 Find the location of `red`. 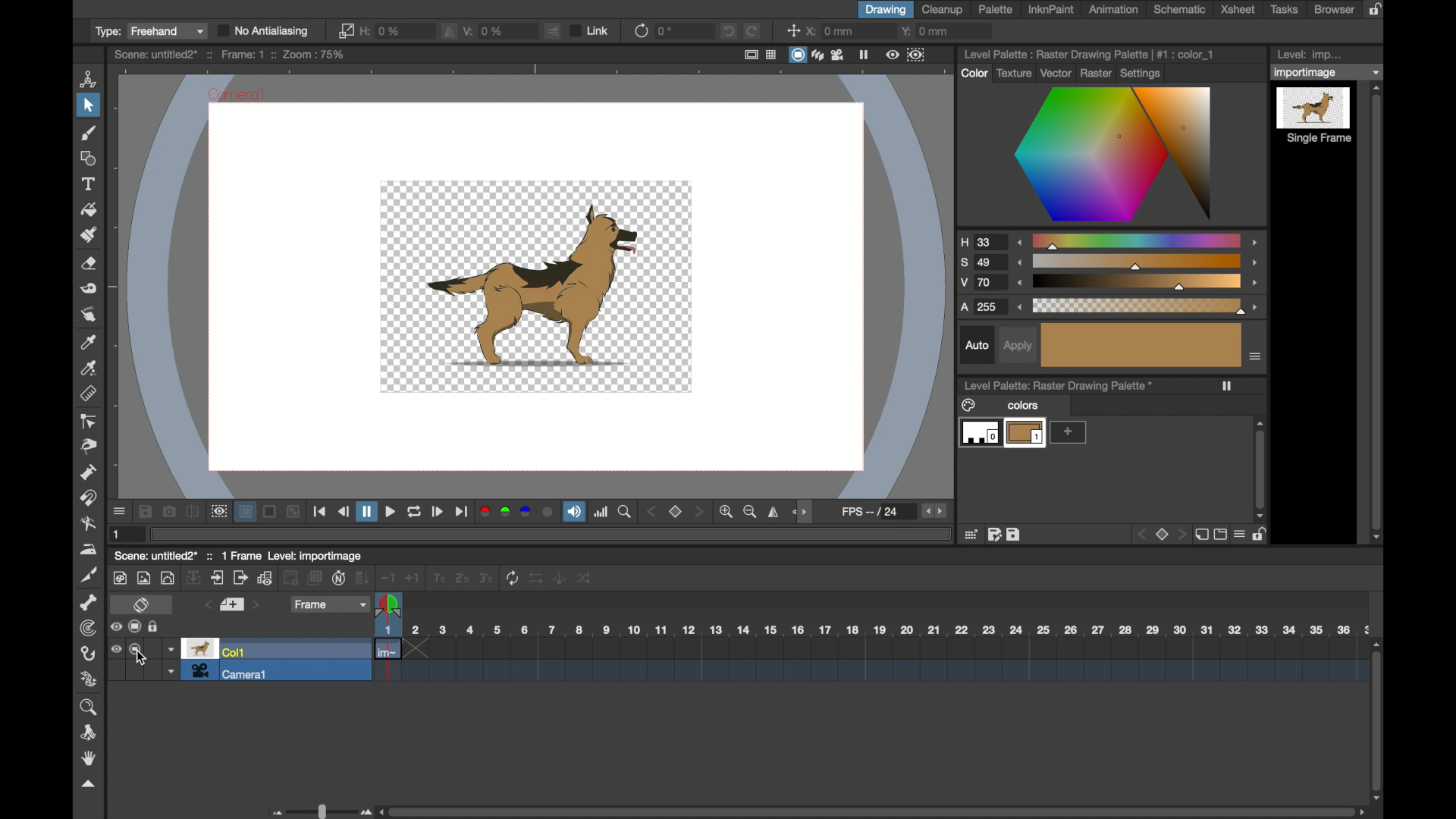

red is located at coordinates (485, 512).